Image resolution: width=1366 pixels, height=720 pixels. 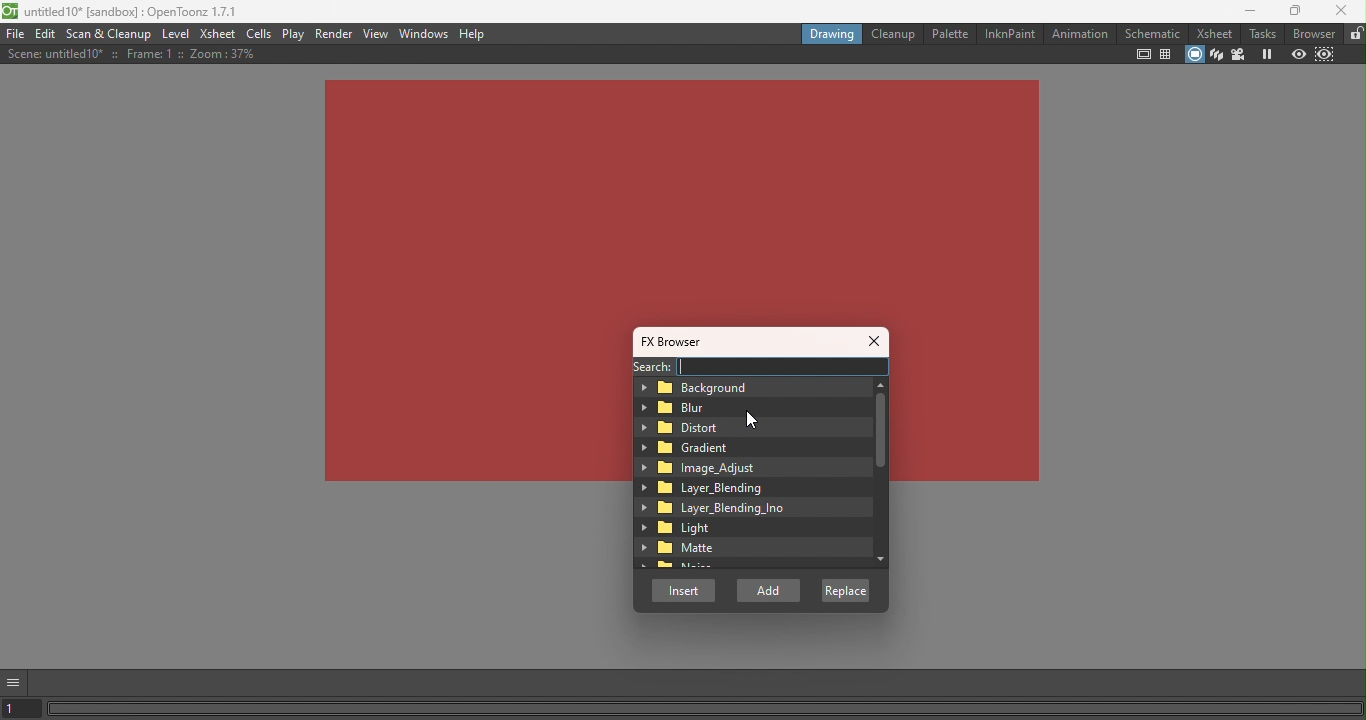 What do you see at coordinates (378, 32) in the screenshot?
I see `View` at bounding box center [378, 32].